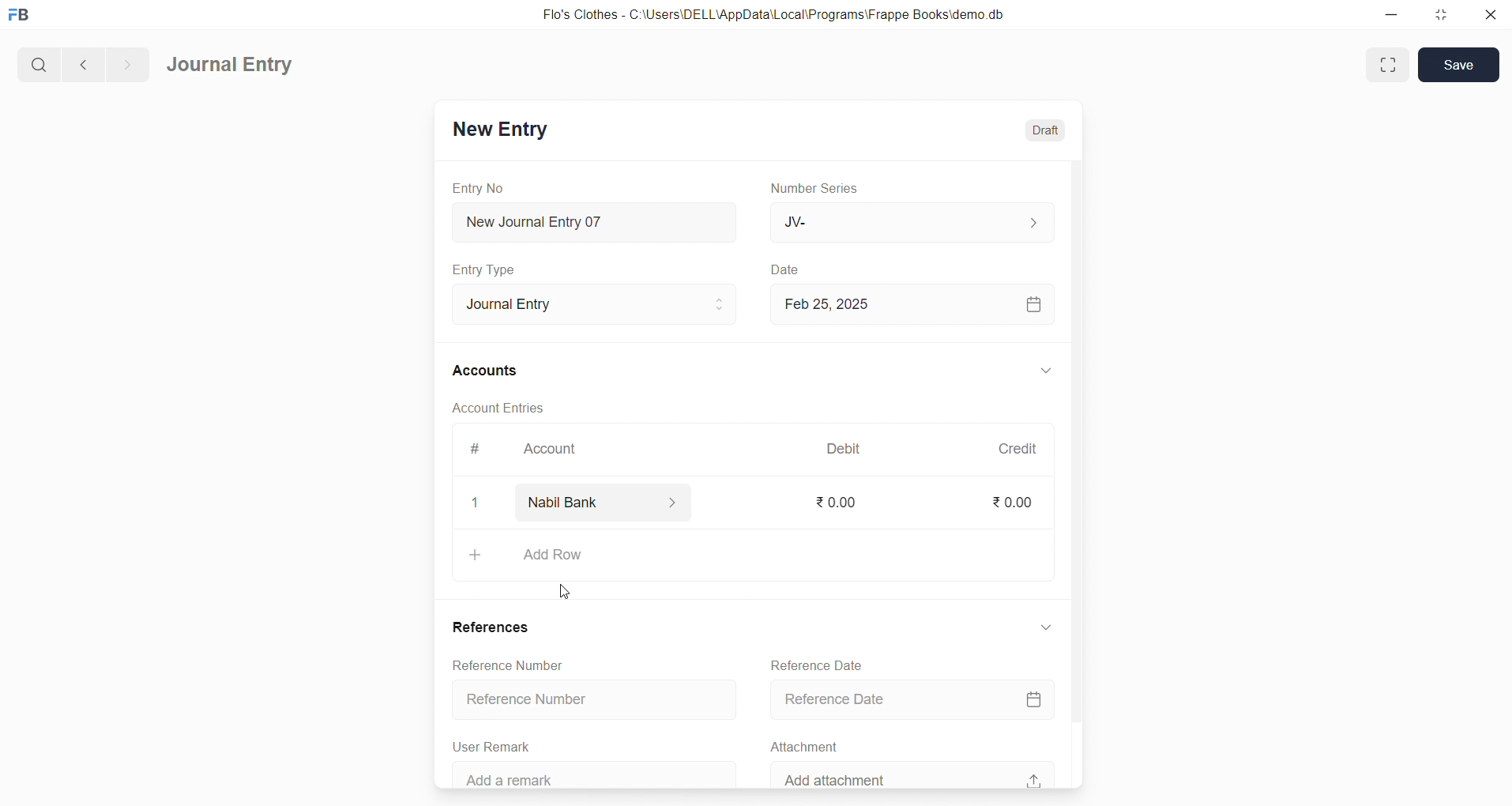 The height and width of the screenshot is (806, 1512). I want to click on User Remark, so click(496, 744).